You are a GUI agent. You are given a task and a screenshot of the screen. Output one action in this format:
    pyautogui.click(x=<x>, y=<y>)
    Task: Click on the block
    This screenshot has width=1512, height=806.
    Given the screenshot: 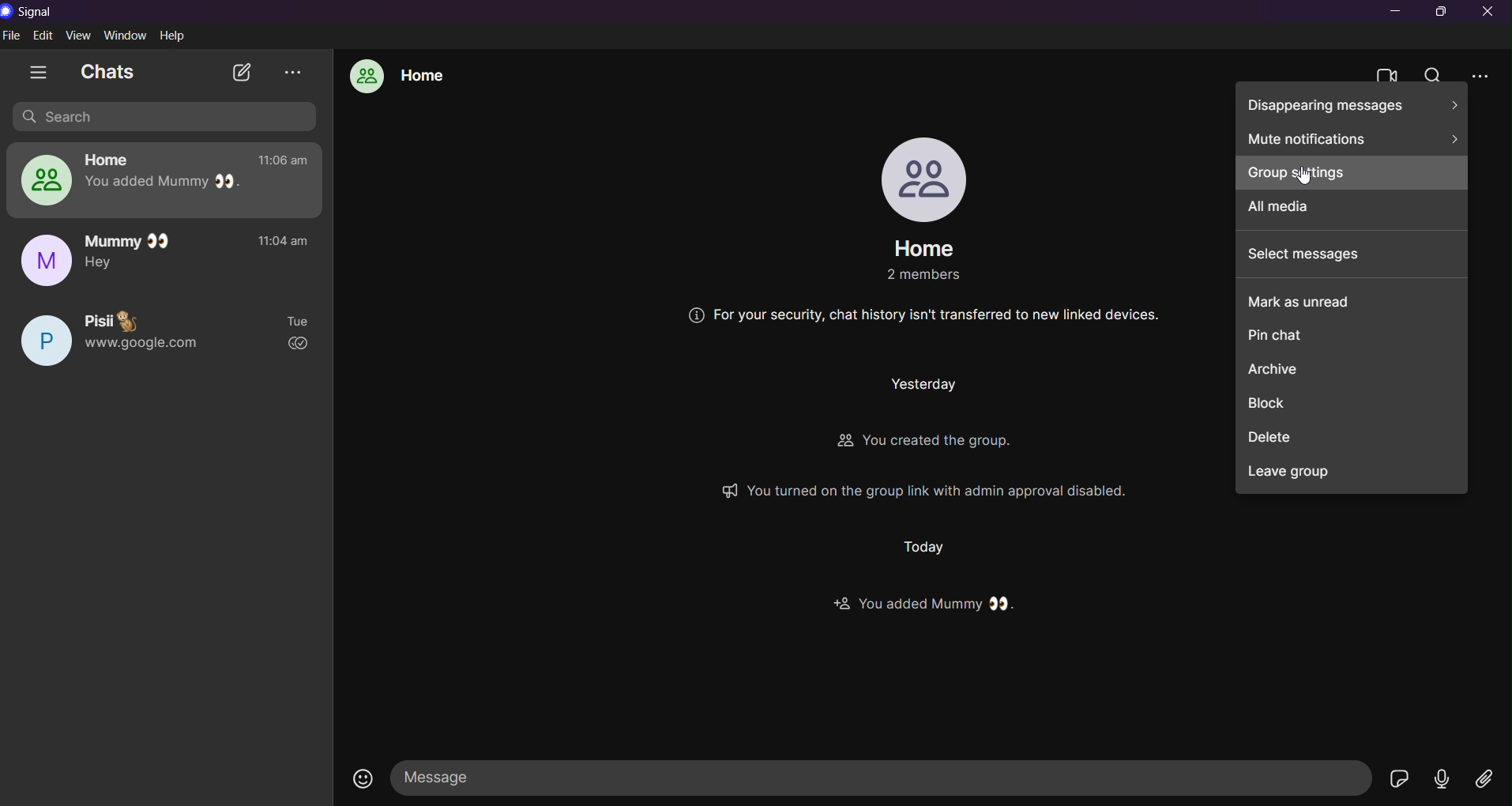 What is the action you would take?
    pyautogui.click(x=1351, y=408)
    